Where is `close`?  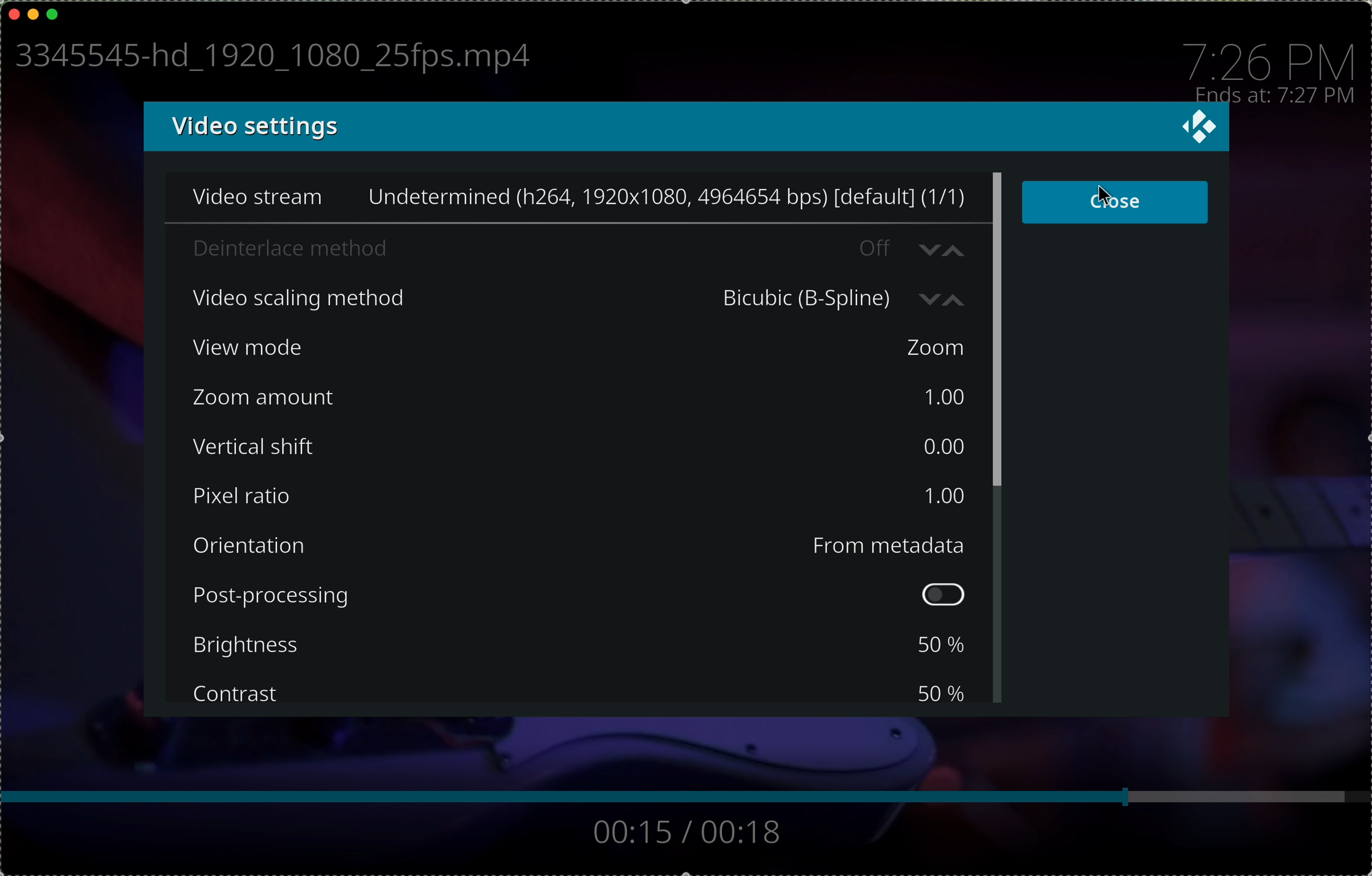
close is located at coordinates (14, 12).